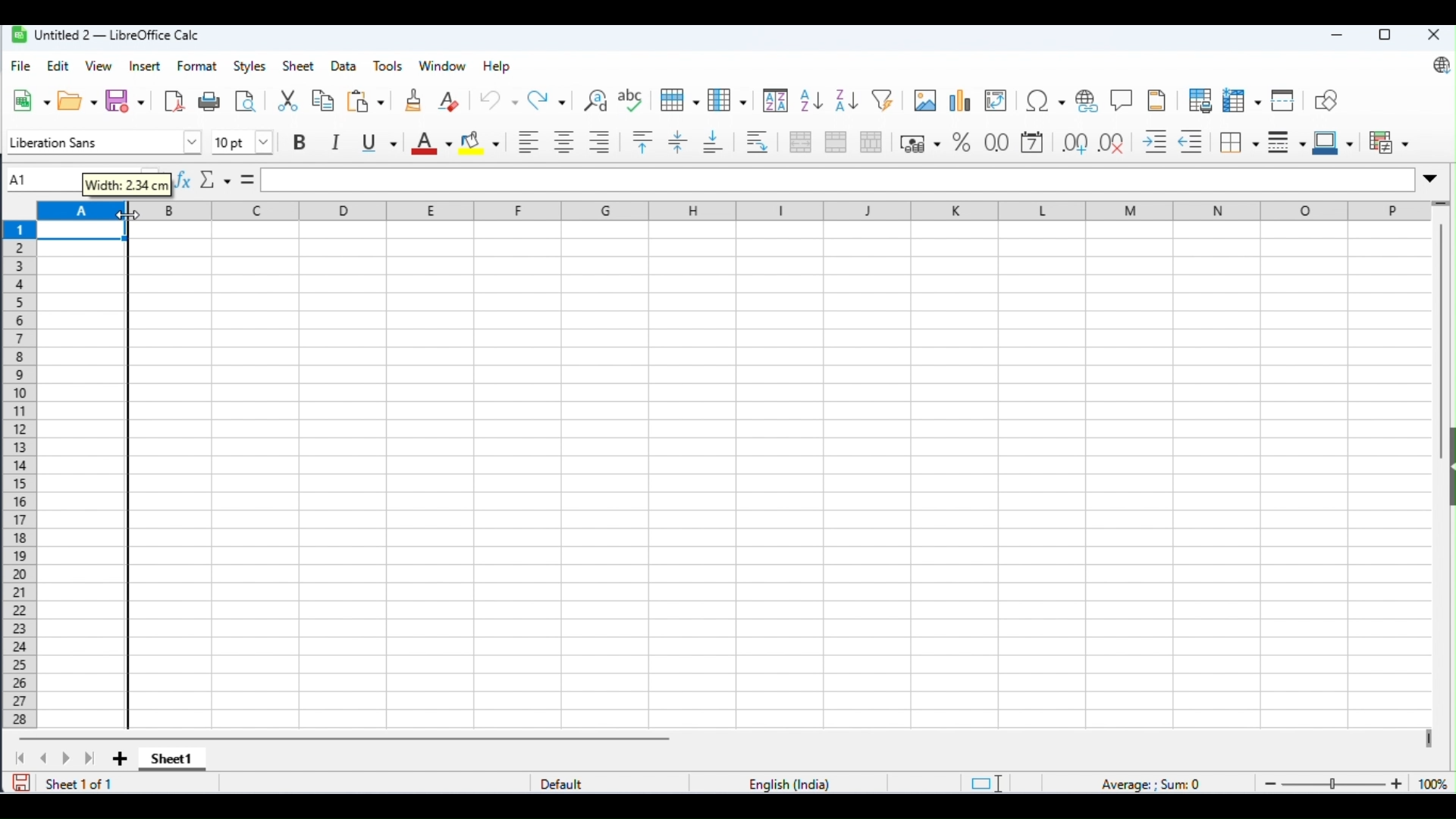  What do you see at coordinates (91, 759) in the screenshot?
I see `last sheet` at bounding box center [91, 759].